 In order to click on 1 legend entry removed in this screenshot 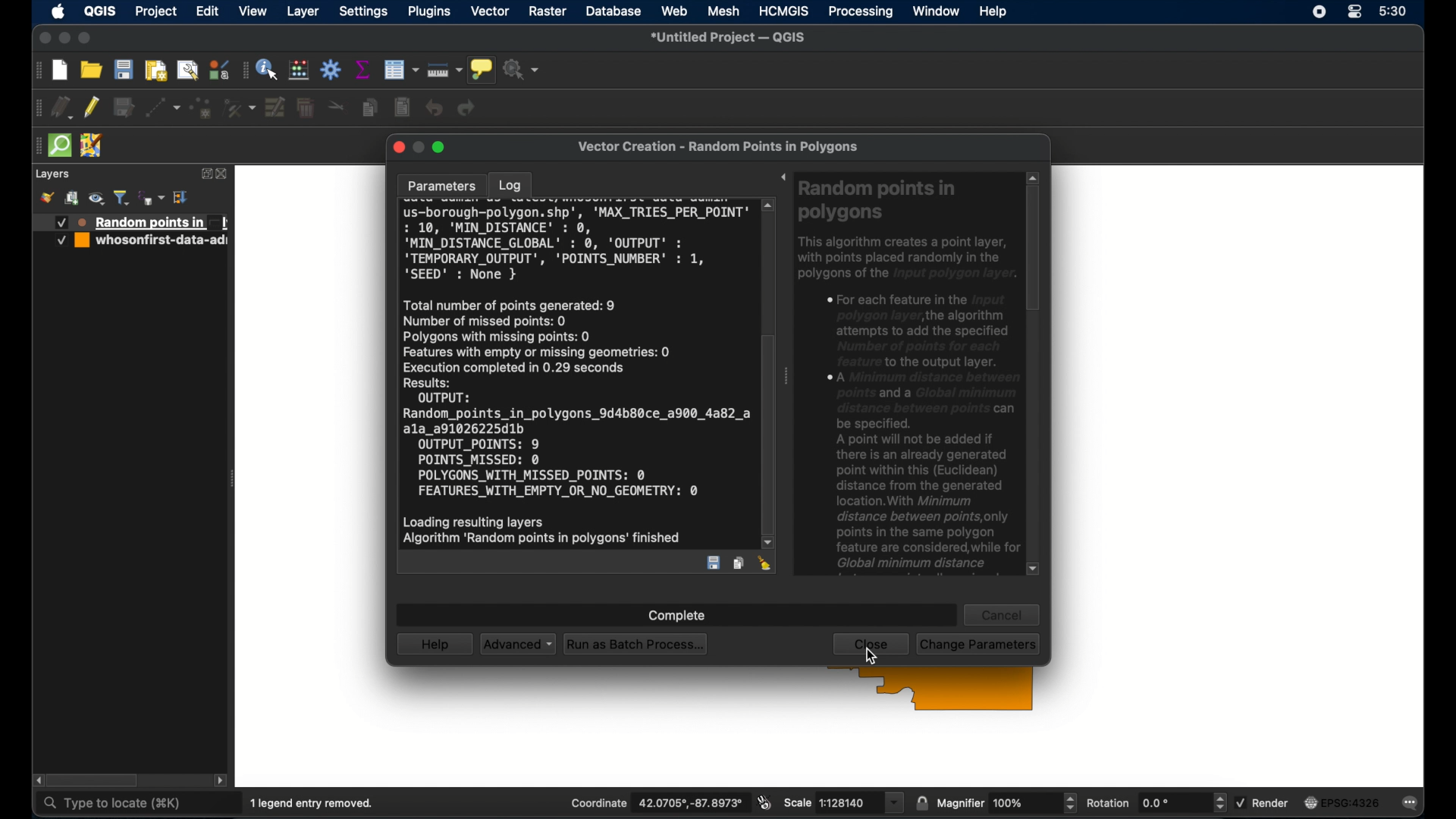, I will do `click(312, 804)`.